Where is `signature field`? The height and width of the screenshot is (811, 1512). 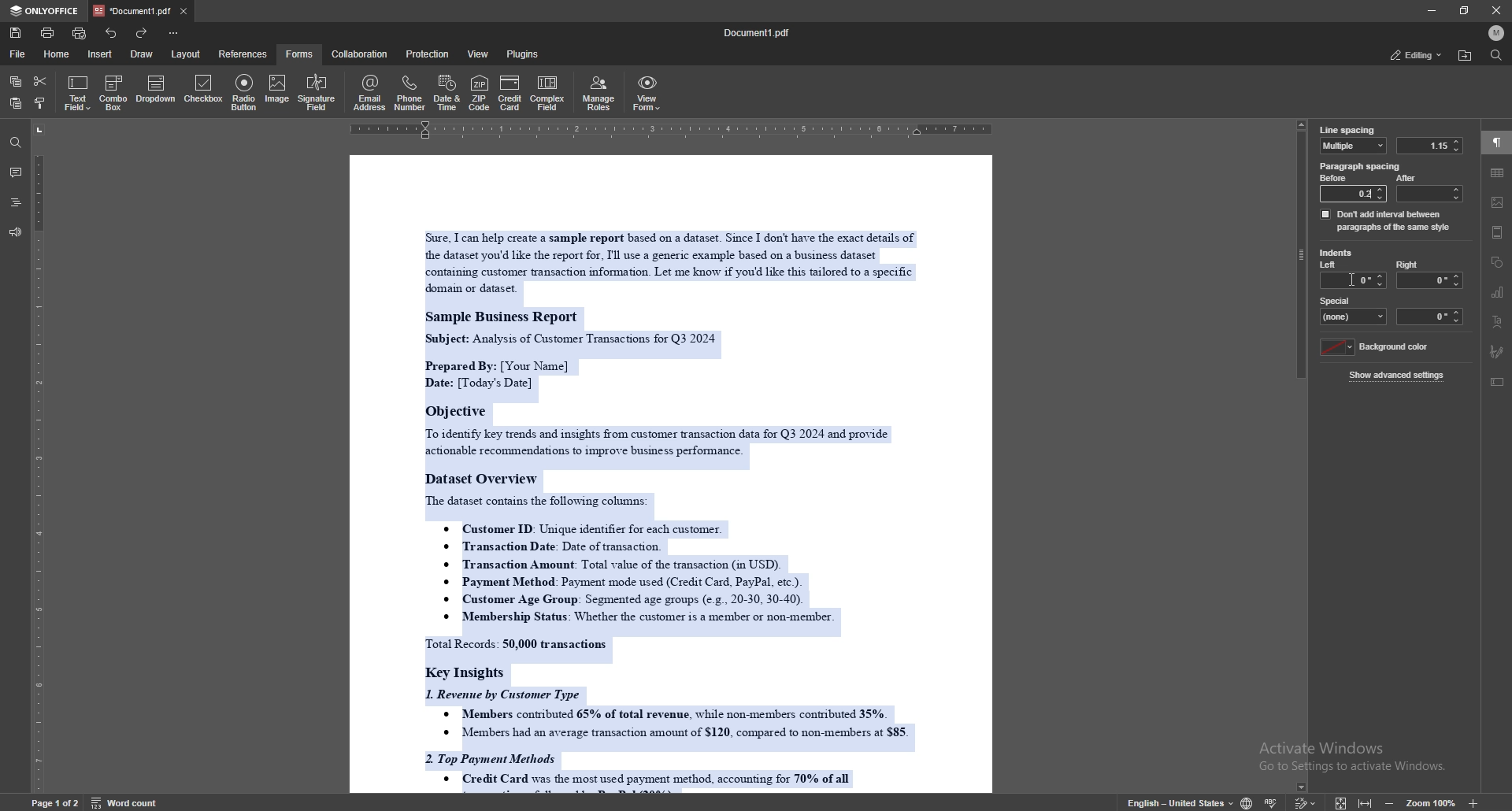 signature field is located at coordinates (1498, 352).